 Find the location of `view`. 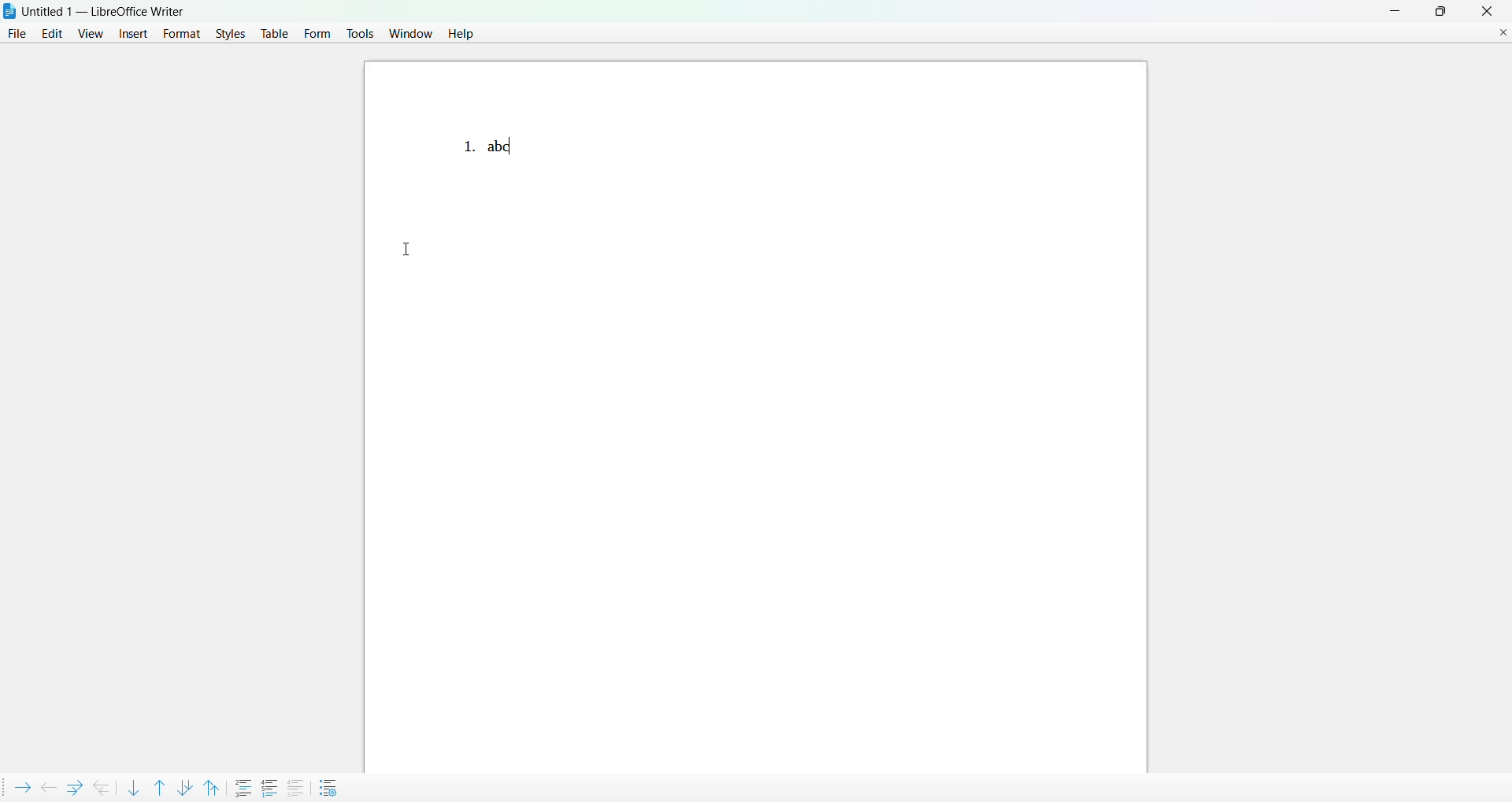

view is located at coordinates (91, 32).